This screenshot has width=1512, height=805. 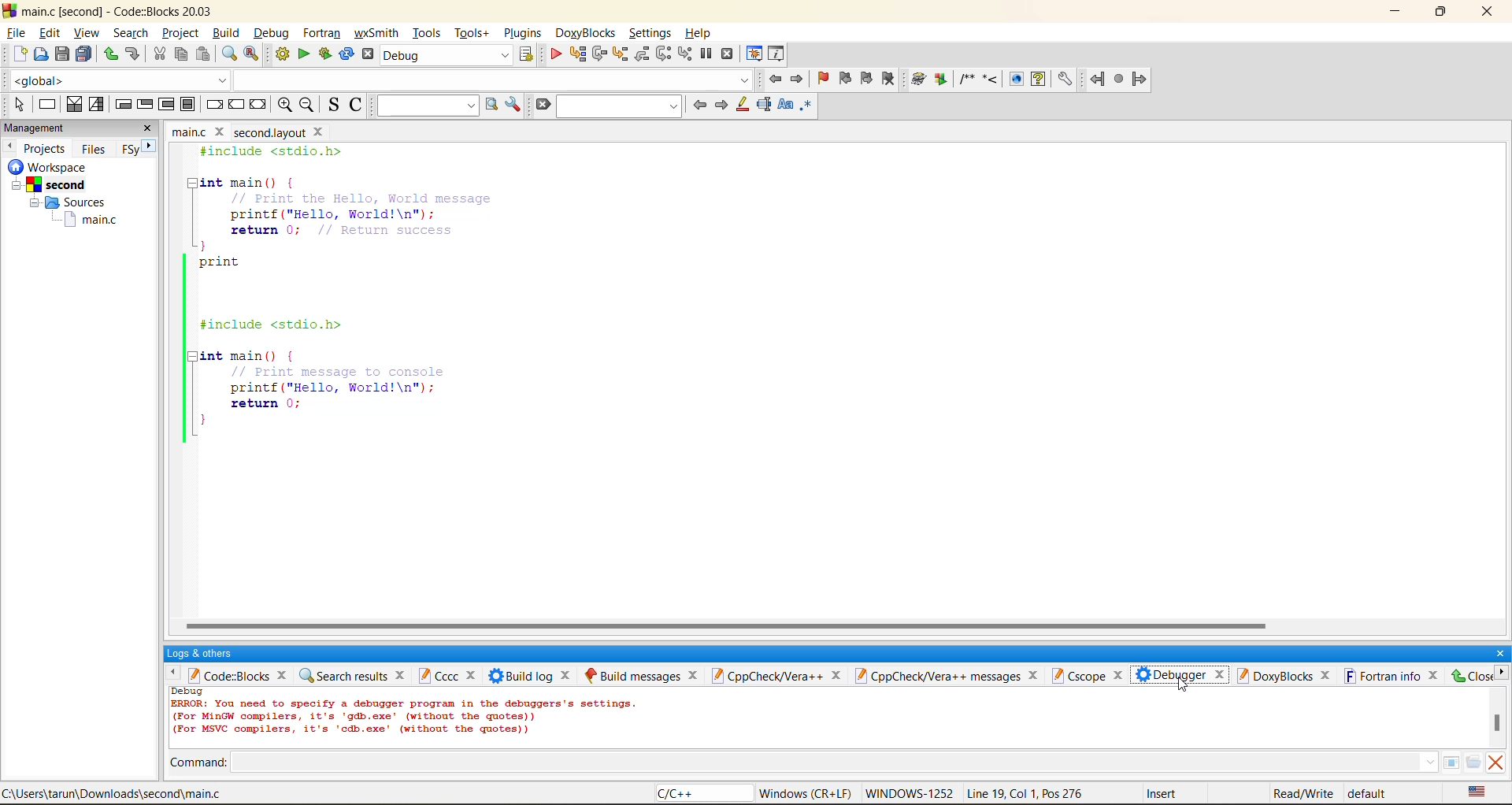 What do you see at coordinates (95, 148) in the screenshot?
I see `files` at bounding box center [95, 148].